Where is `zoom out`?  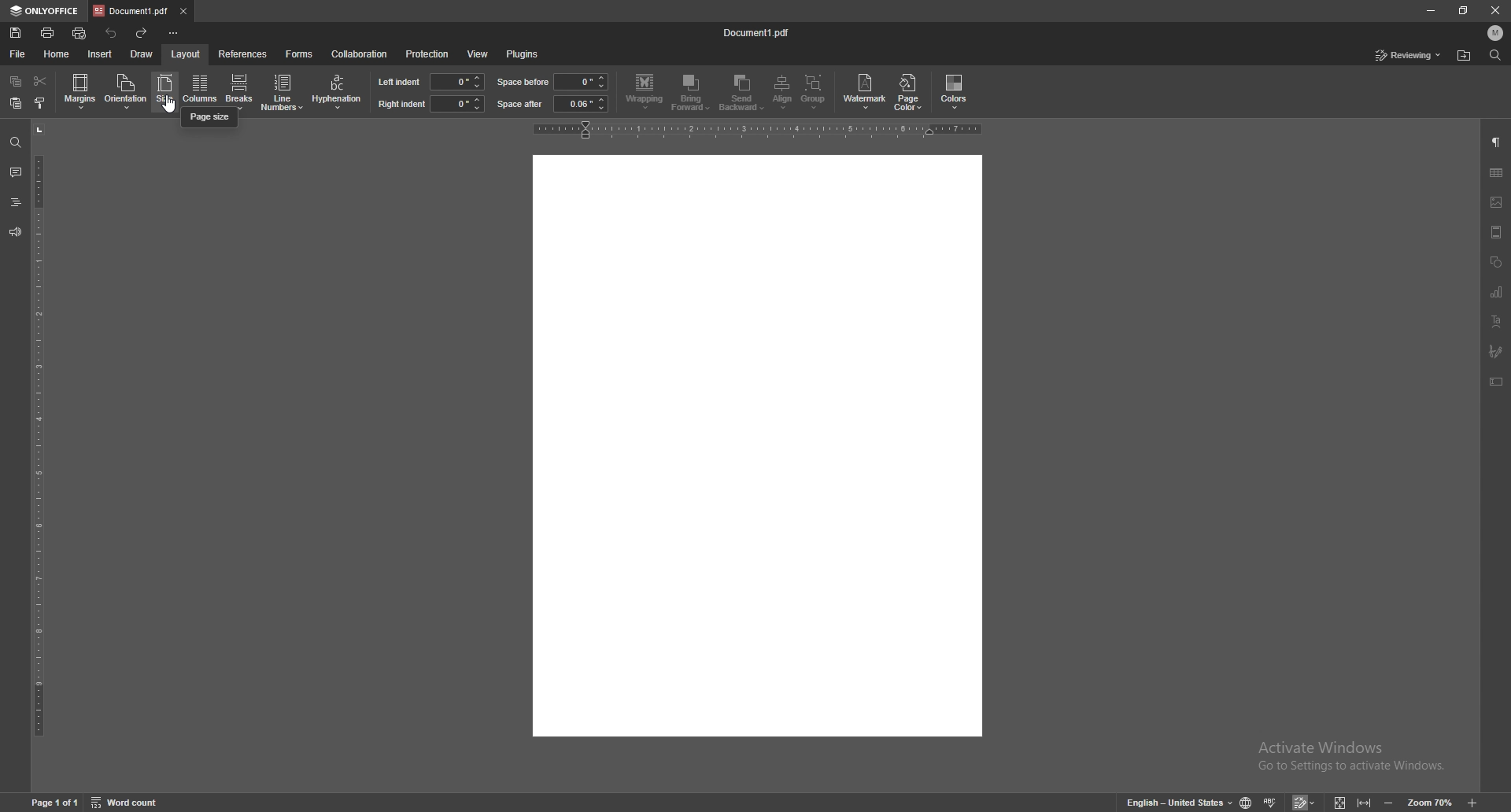
zoom out is located at coordinates (1389, 803).